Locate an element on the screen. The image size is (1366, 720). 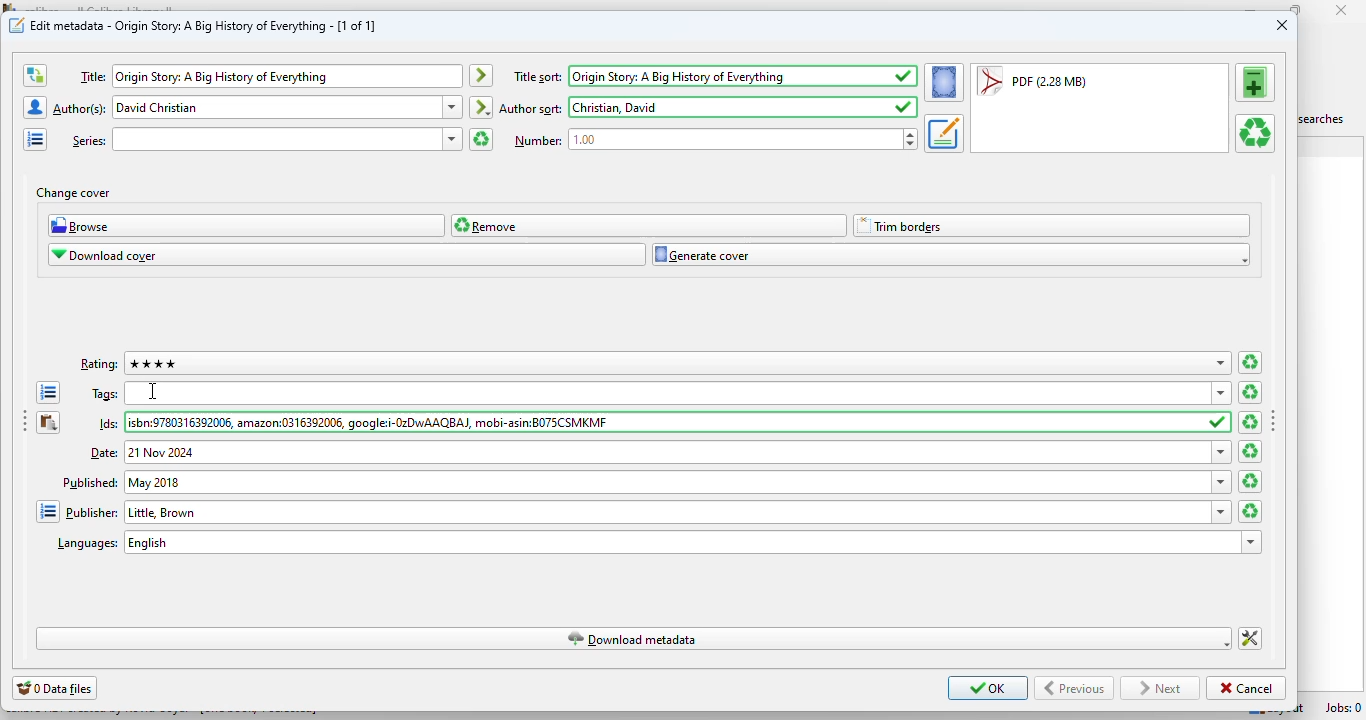
text is located at coordinates (105, 454).